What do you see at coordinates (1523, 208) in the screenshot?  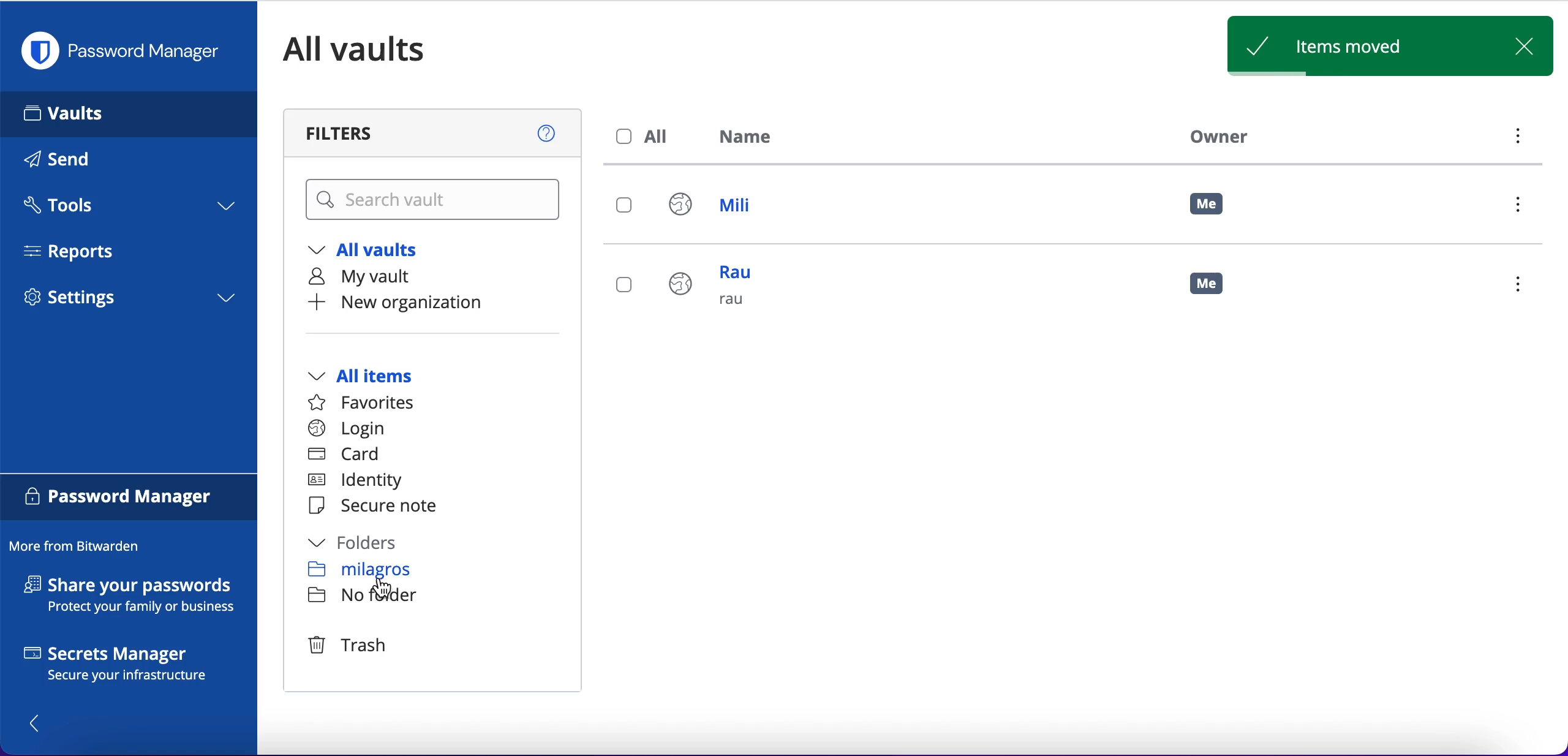 I see `menu ` at bounding box center [1523, 208].